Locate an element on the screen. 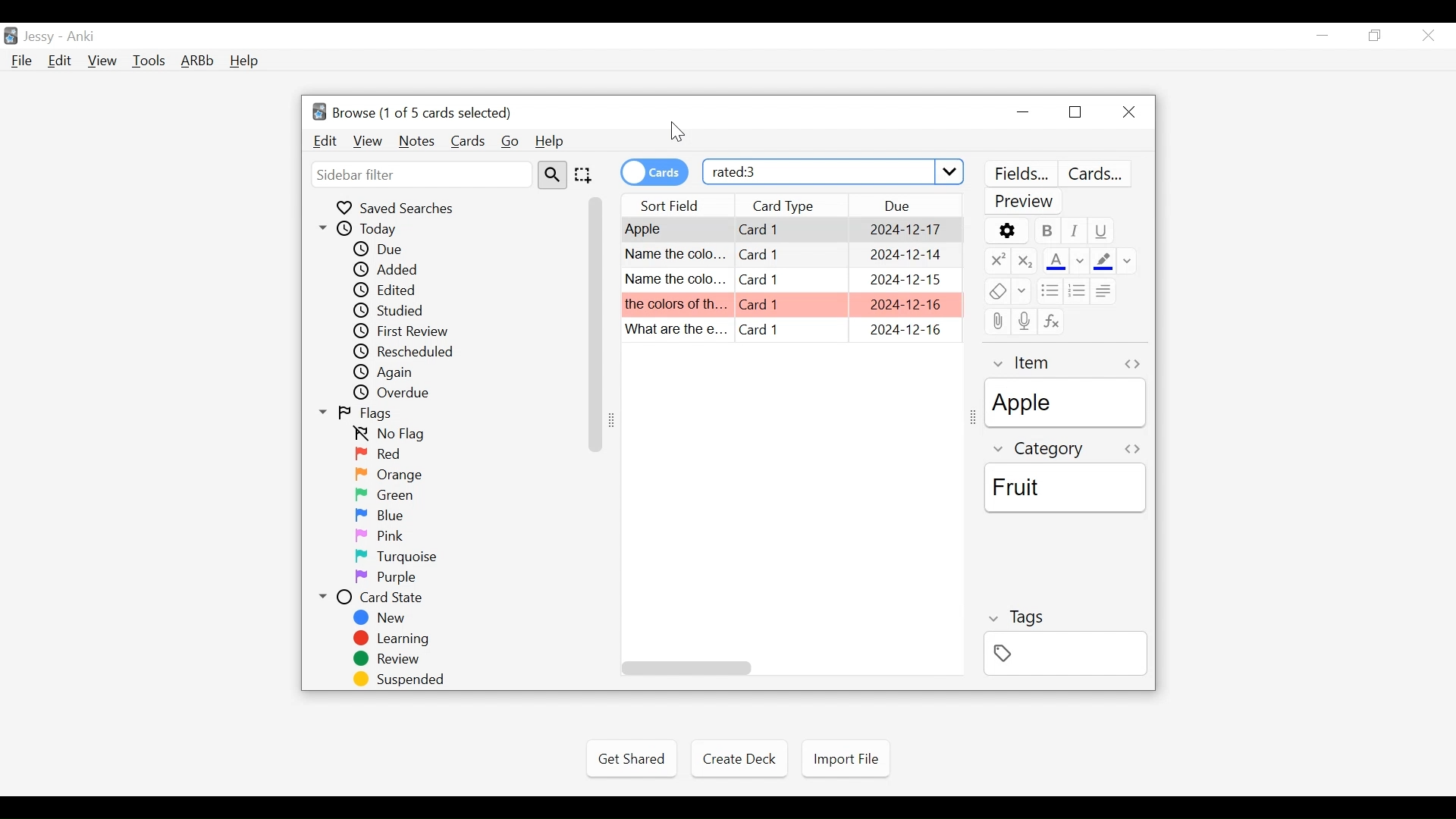 This screenshot has height=819, width=1456. Suspended is located at coordinates (402, 679).